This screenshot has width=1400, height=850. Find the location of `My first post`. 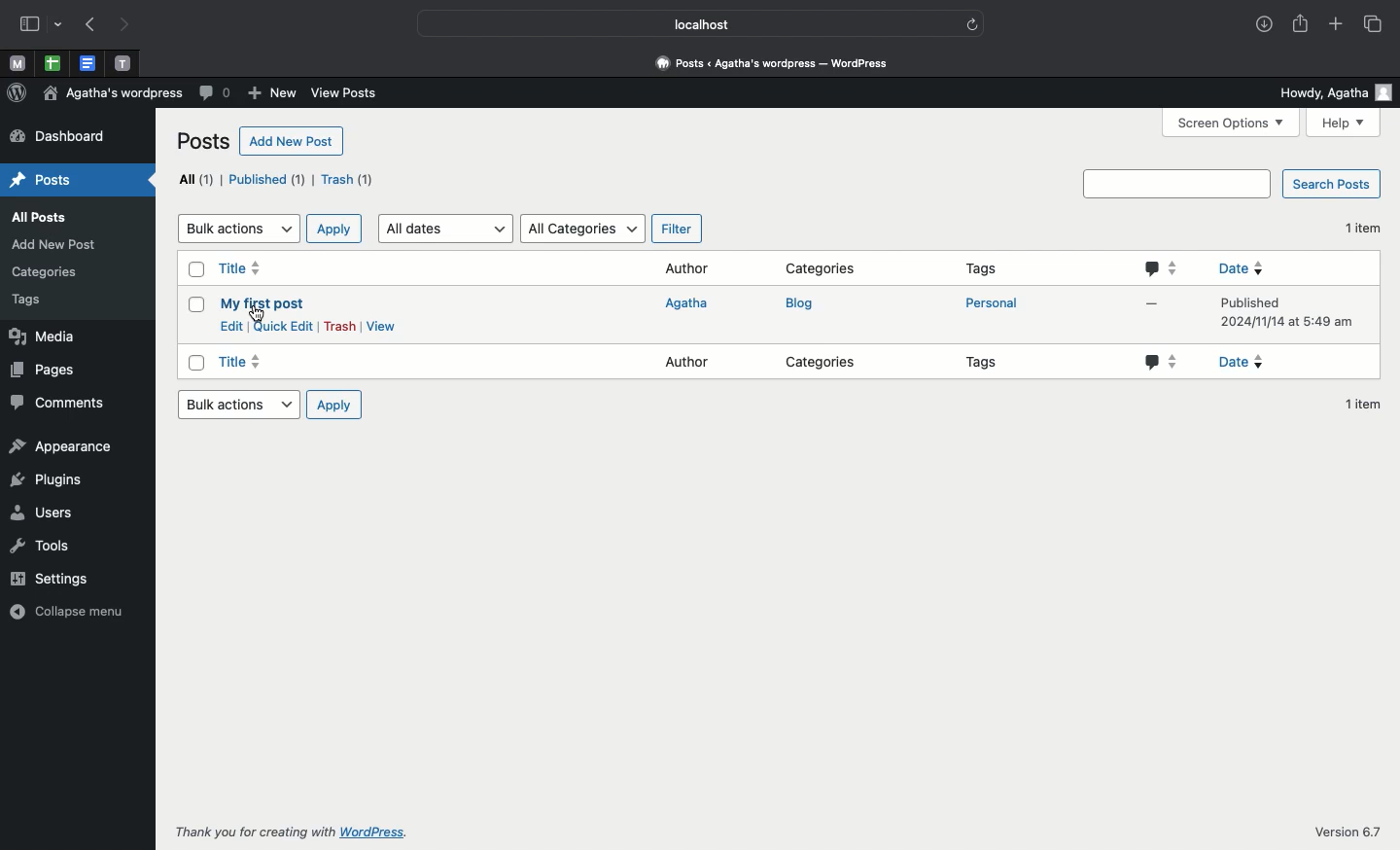

My first post is located at coordinates (262, 304).